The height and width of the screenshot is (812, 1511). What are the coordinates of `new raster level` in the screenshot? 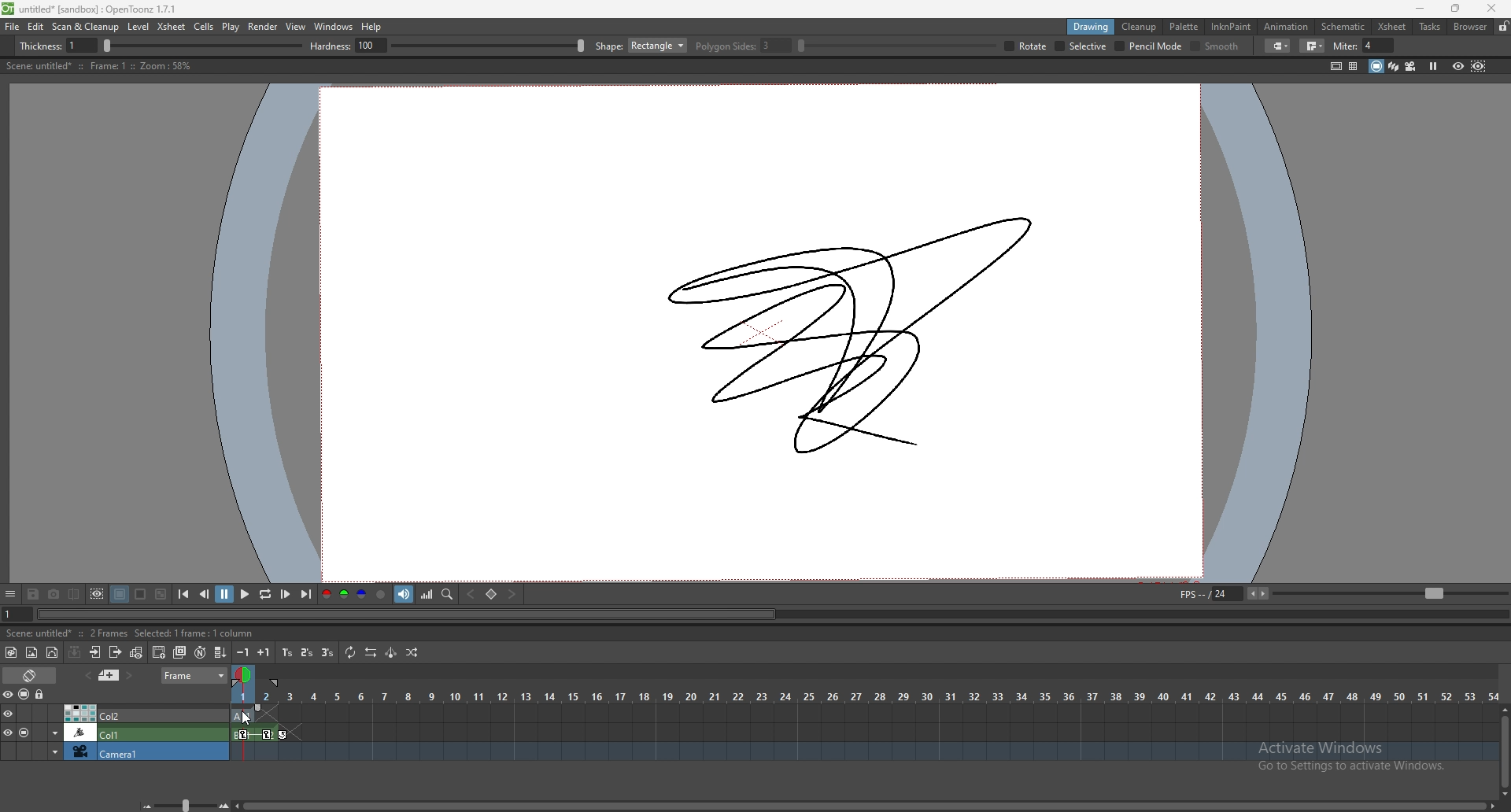 It's located at (31, 653).